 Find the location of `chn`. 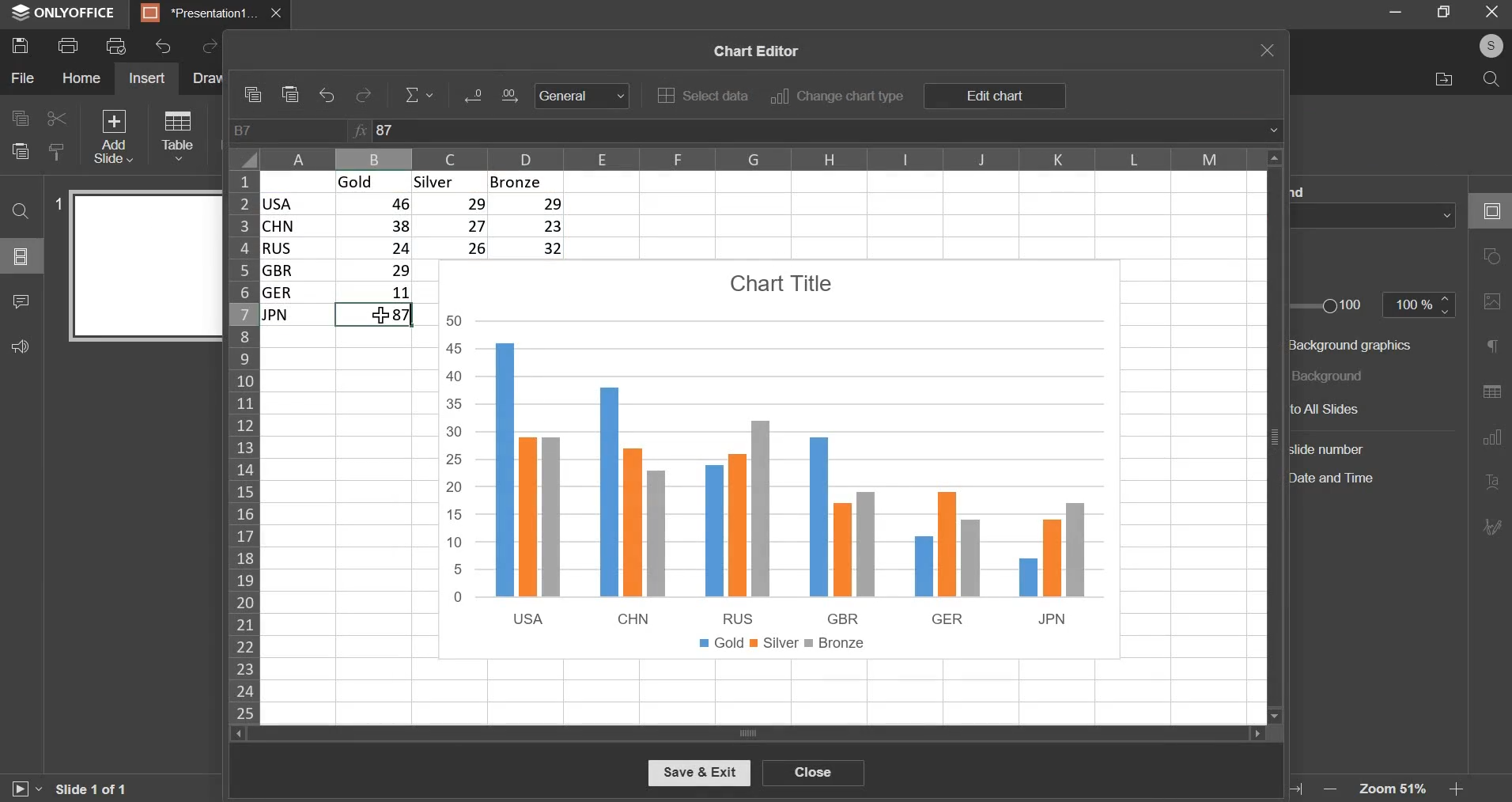

chn is located at coordinates (297, 225).